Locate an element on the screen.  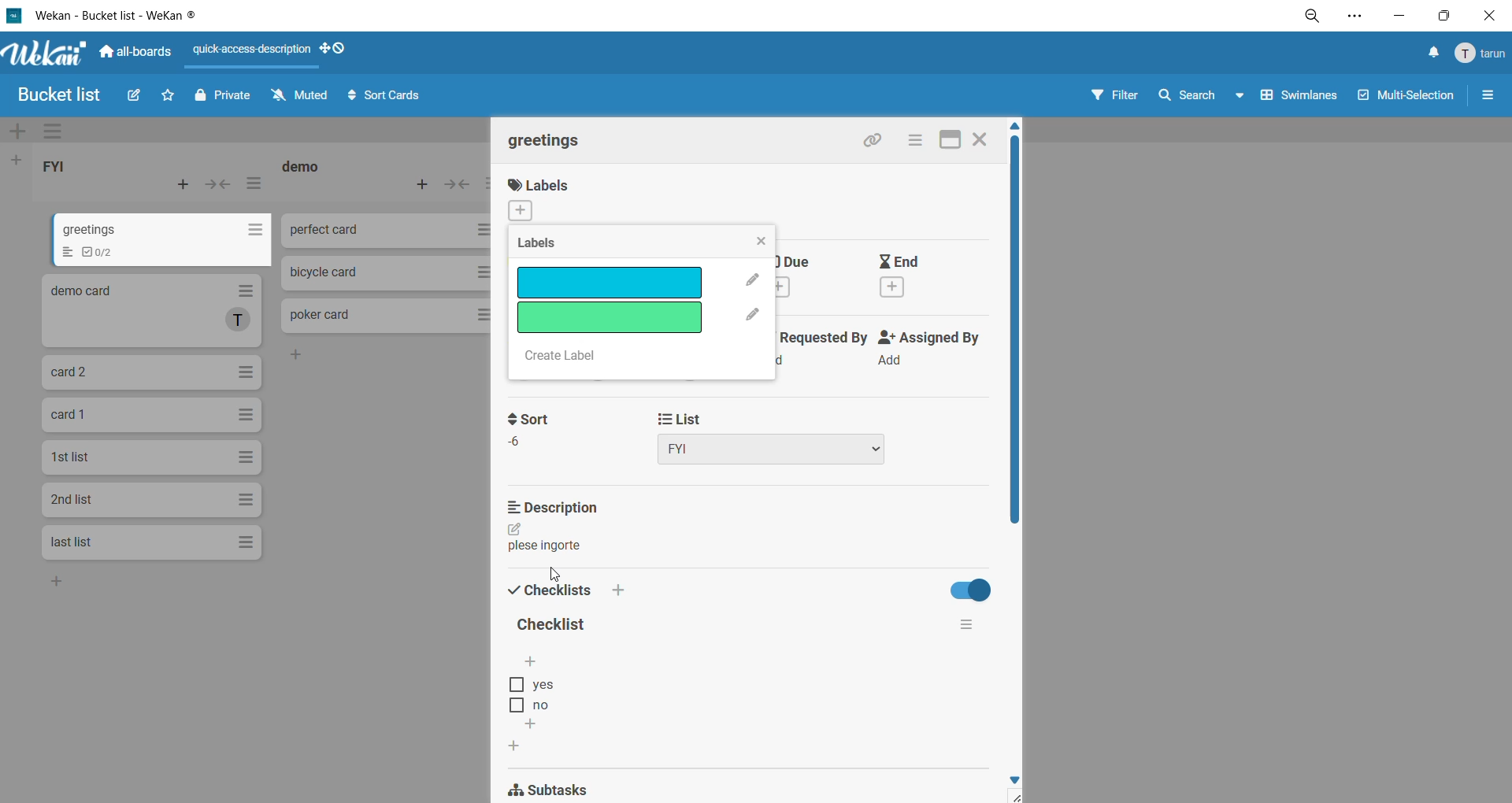
board title is located at coordinates (58, 94).